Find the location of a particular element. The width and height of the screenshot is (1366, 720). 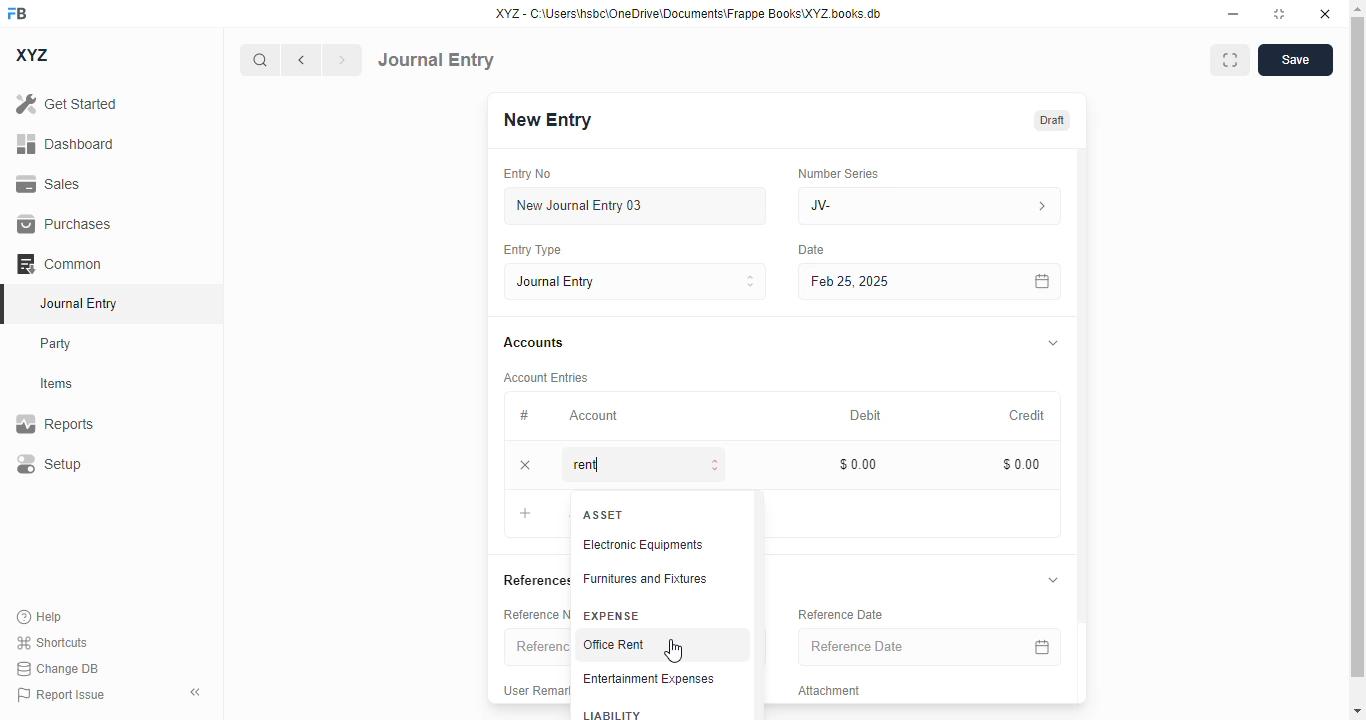

new entry is located at coordinates (549, 120).